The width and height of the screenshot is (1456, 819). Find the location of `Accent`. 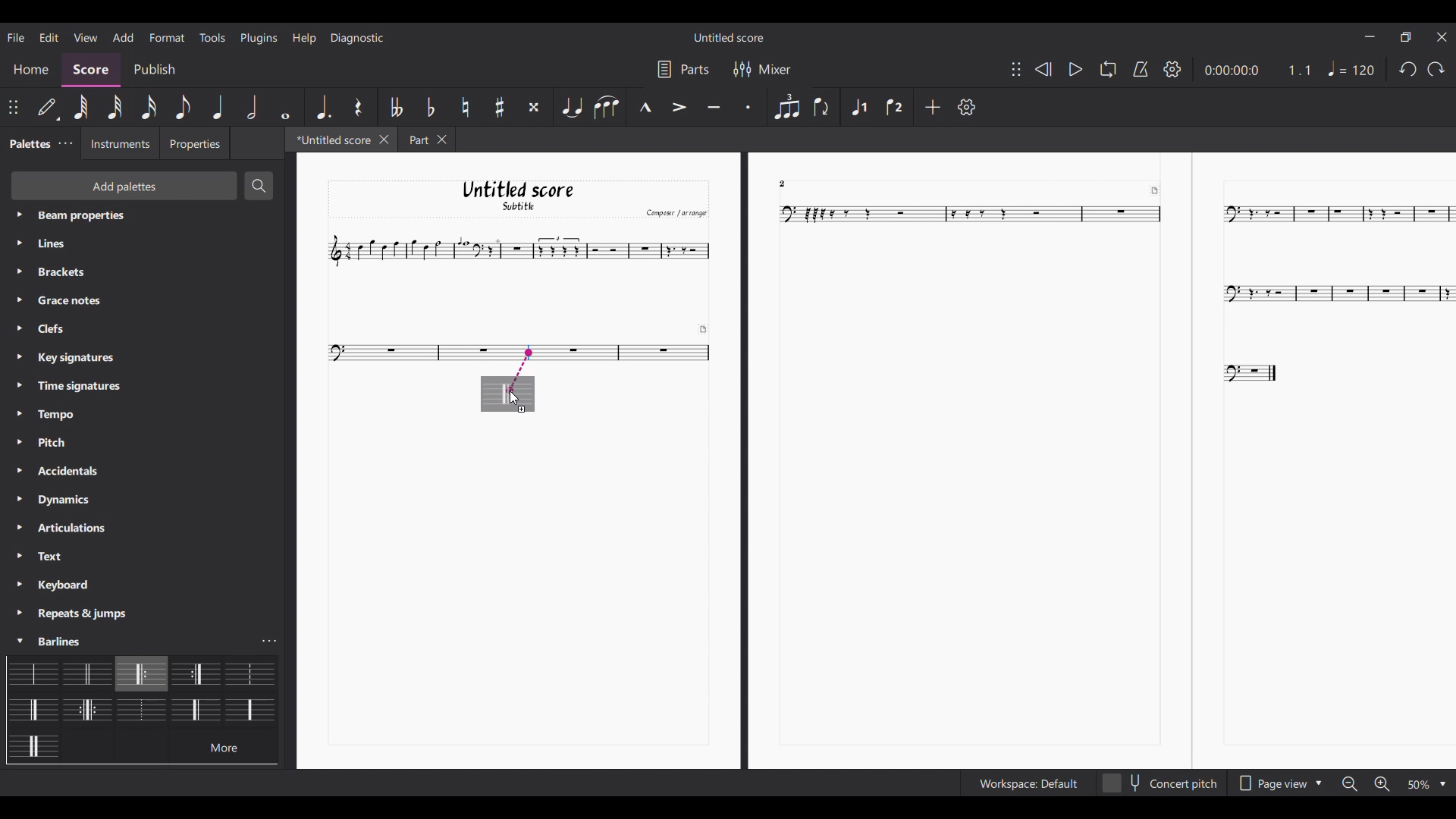

Accent is located at coordinates (680, 107).